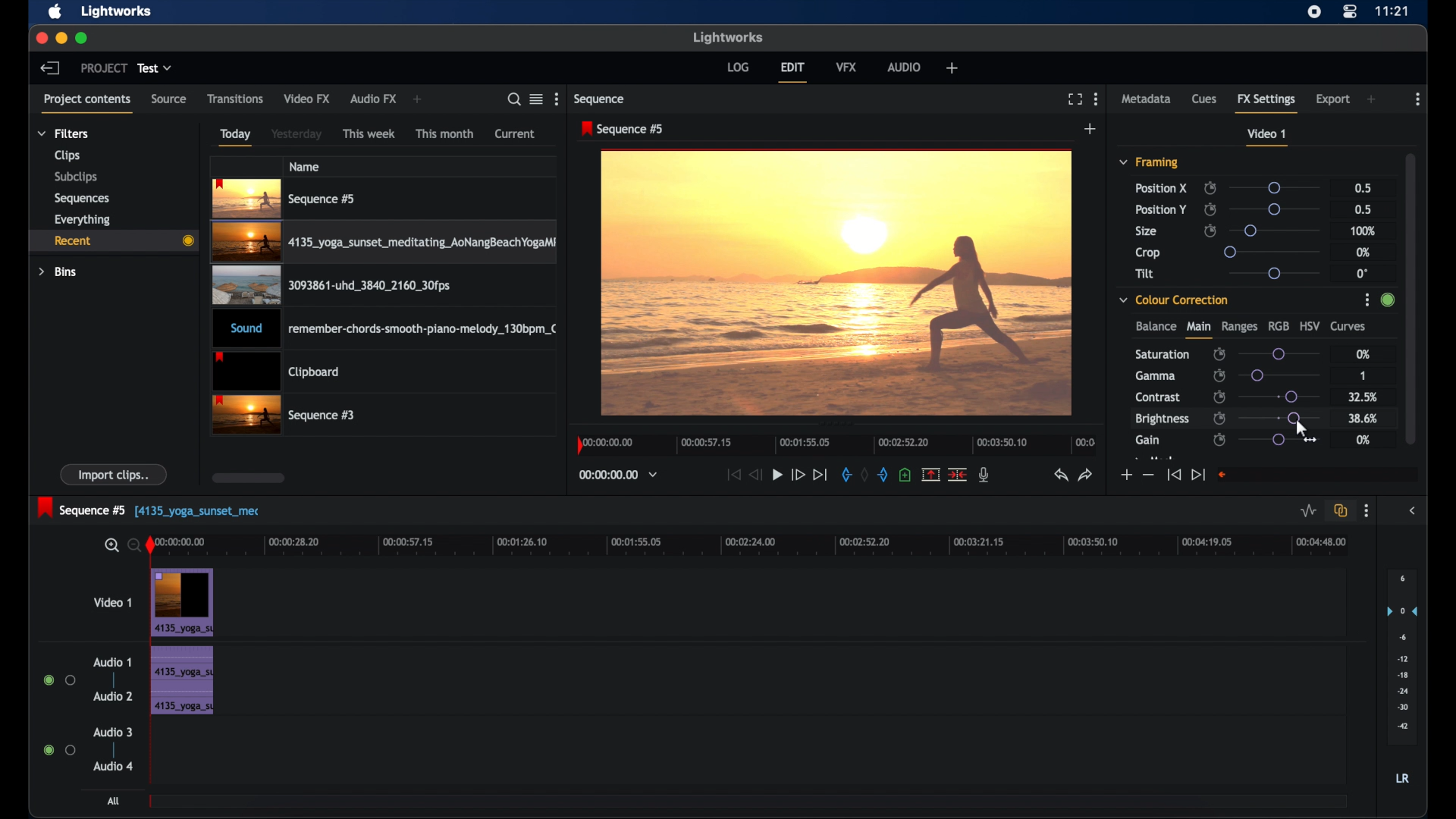 Image resolution: width=1456 pixels, height=819 pixels. I want to click on name, so click(306, 166).